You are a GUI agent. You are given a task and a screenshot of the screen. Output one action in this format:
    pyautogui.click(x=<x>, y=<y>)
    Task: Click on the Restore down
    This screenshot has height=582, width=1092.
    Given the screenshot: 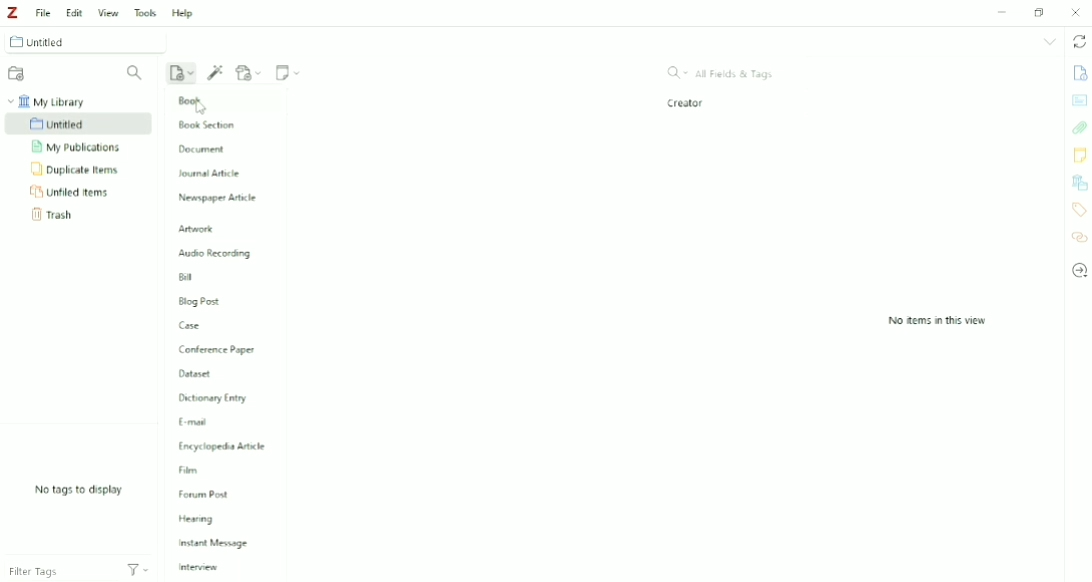 What is the action you would take?
    pyautogui.click(x=1041, y=11)
    